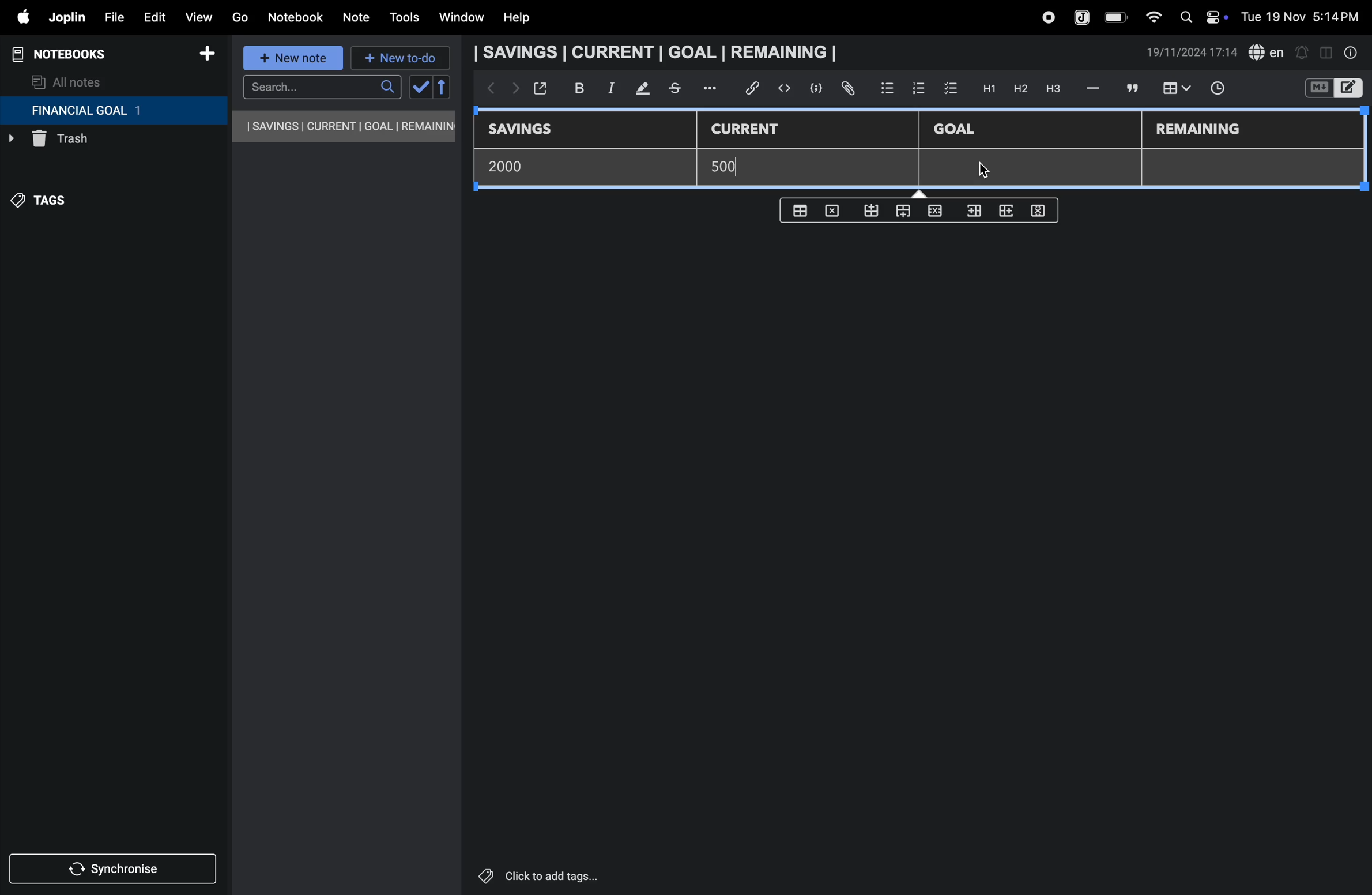 This screenshot has height=895, width=1372. I want to click on check box, so click(951, 89).